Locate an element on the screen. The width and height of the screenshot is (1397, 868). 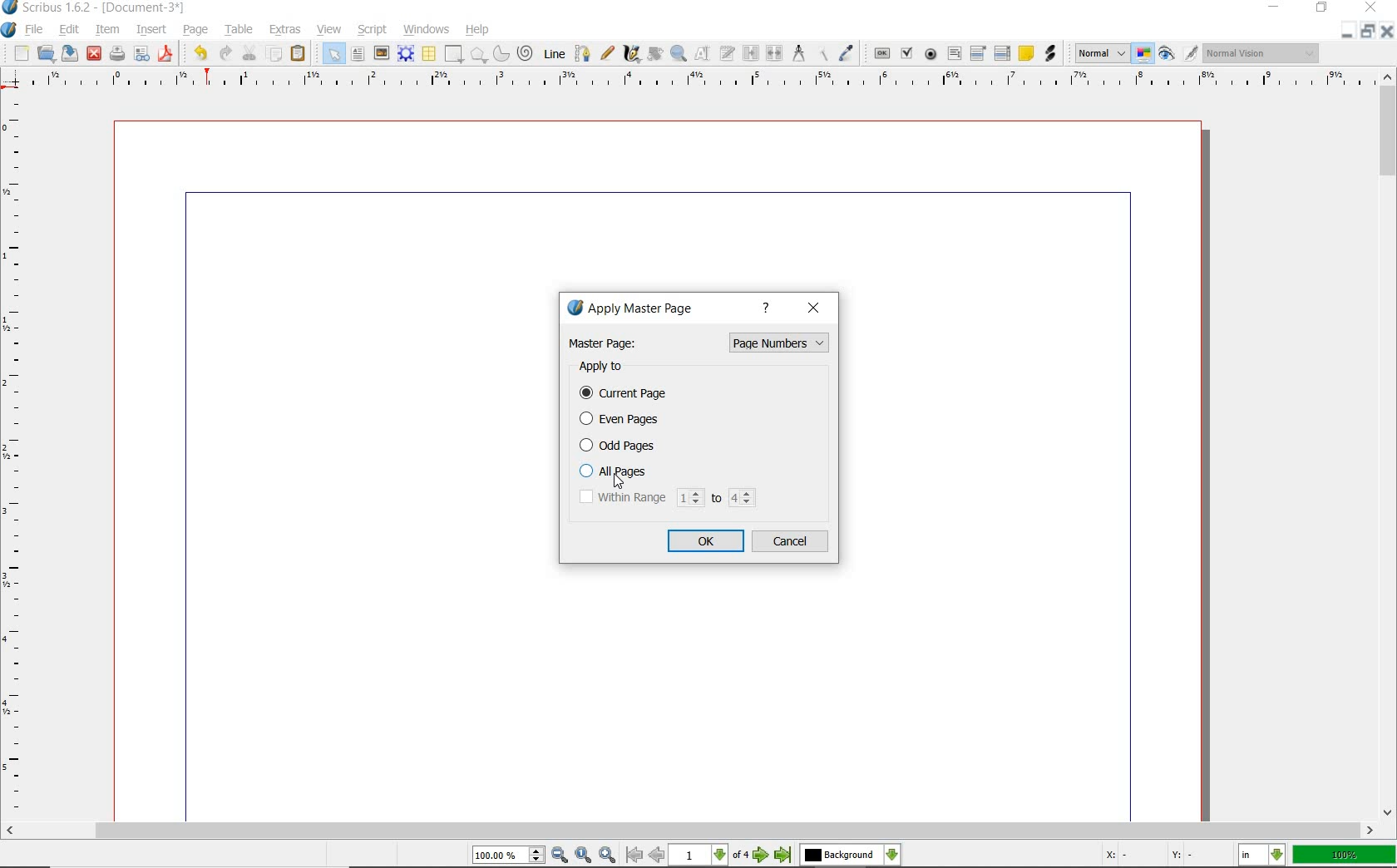
restore is located at coordinates (1321, 10).